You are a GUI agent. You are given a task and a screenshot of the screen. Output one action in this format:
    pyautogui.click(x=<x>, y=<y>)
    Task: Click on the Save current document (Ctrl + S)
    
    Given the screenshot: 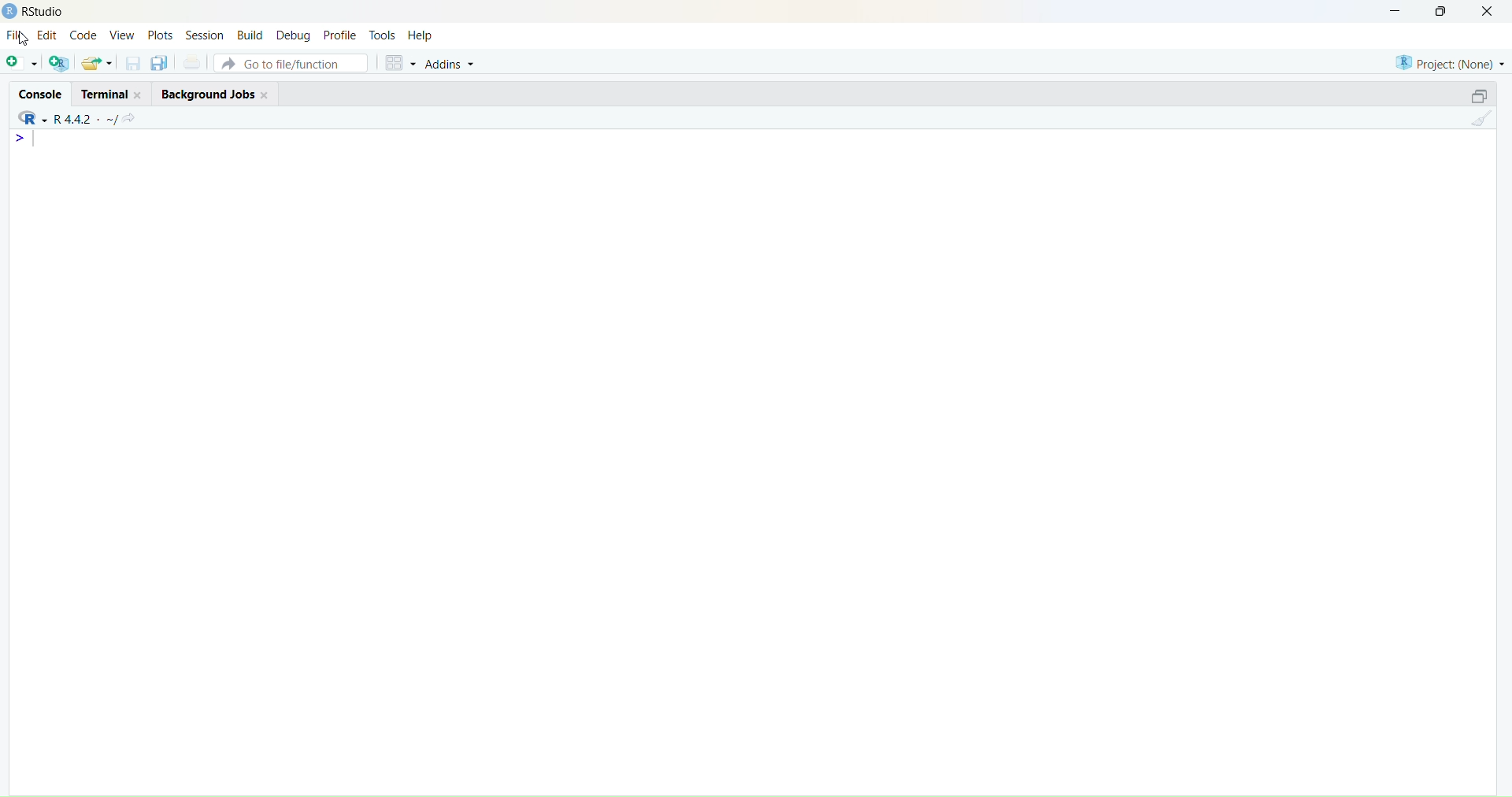 What is the action you would take?
    pyautogui.click(x=132, y=64)
    